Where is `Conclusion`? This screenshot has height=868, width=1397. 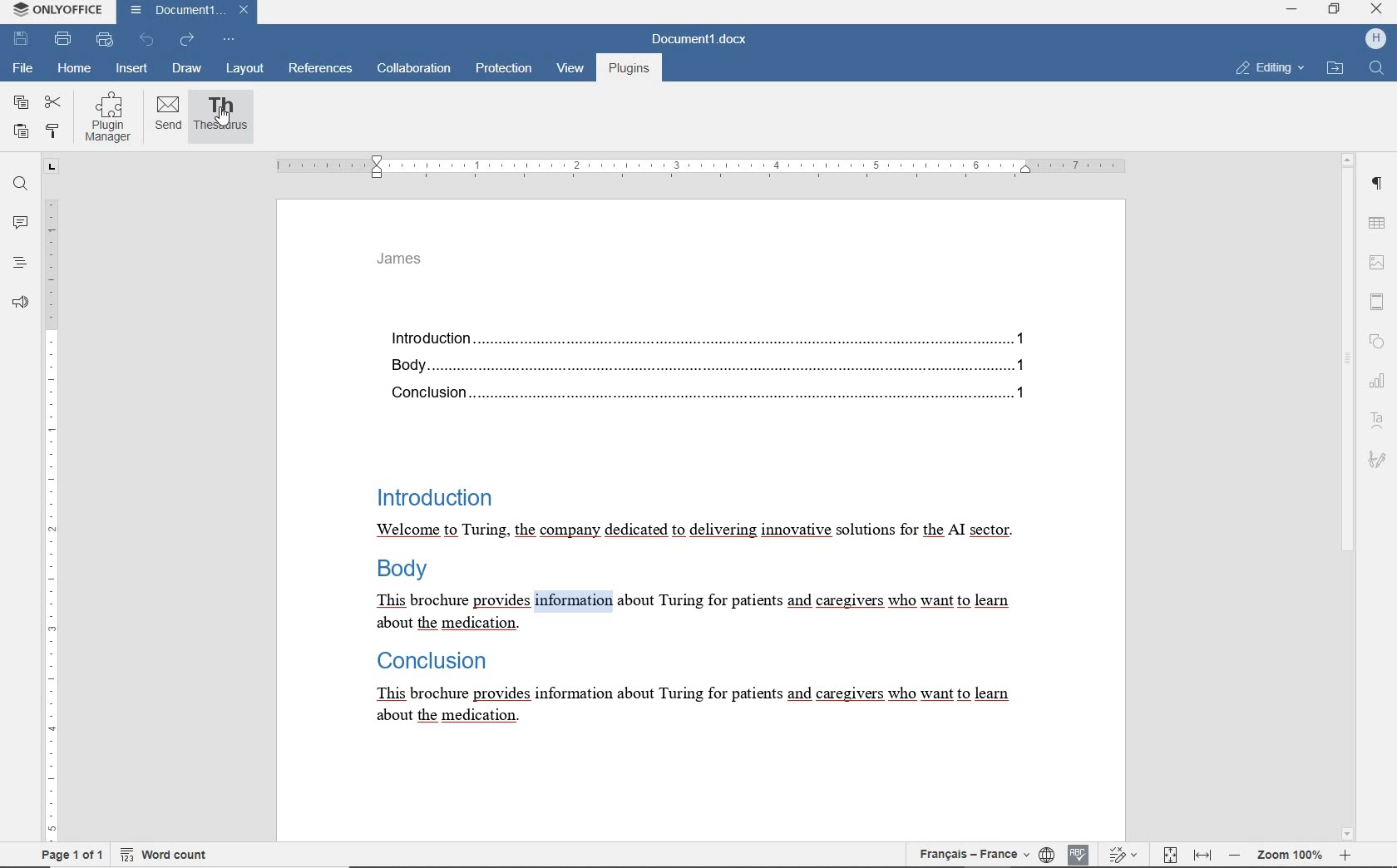
Conclusion is located at coordinates (427, 662).